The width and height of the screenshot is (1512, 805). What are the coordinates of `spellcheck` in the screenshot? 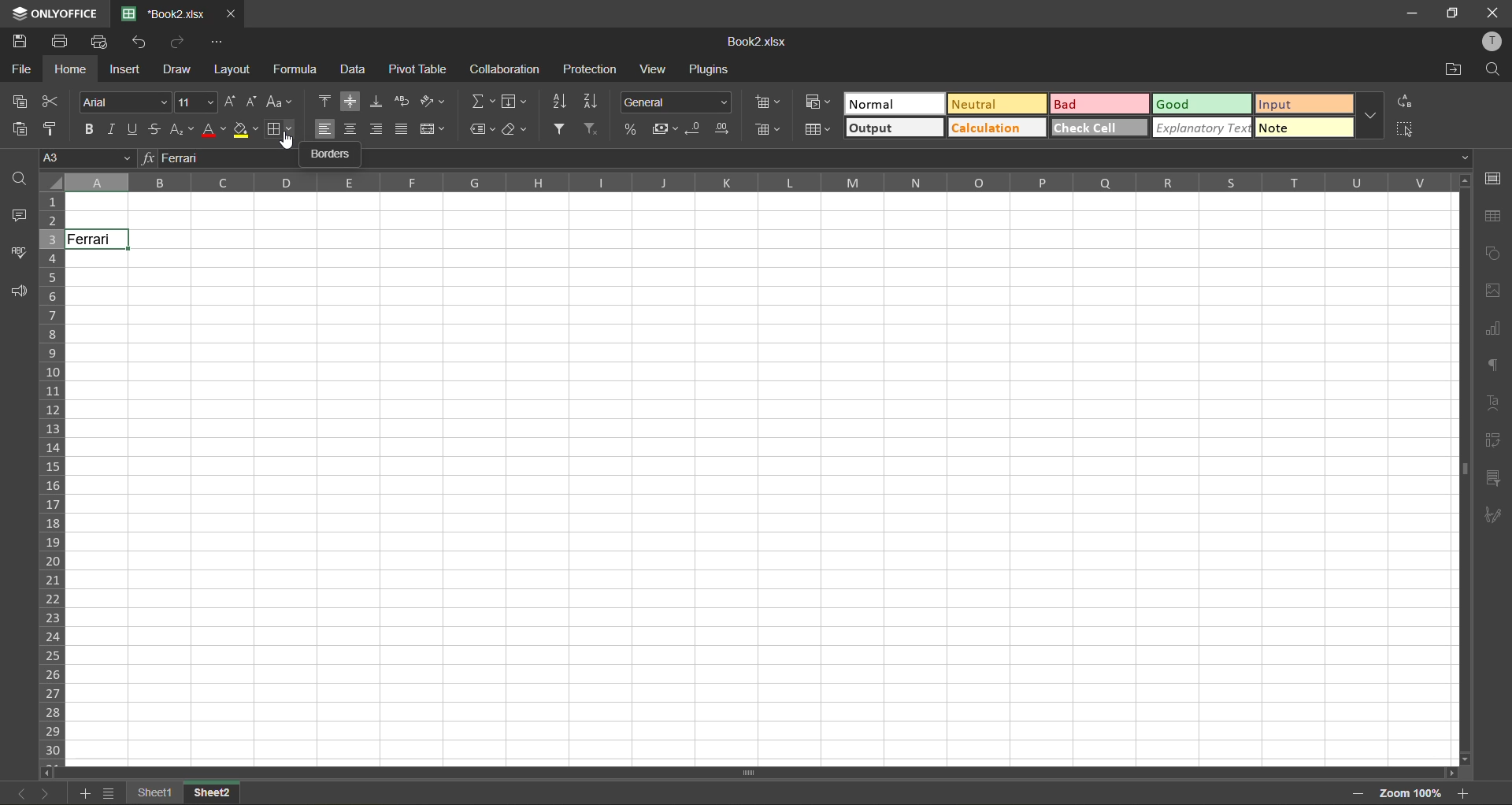 It's located at (15, 252).